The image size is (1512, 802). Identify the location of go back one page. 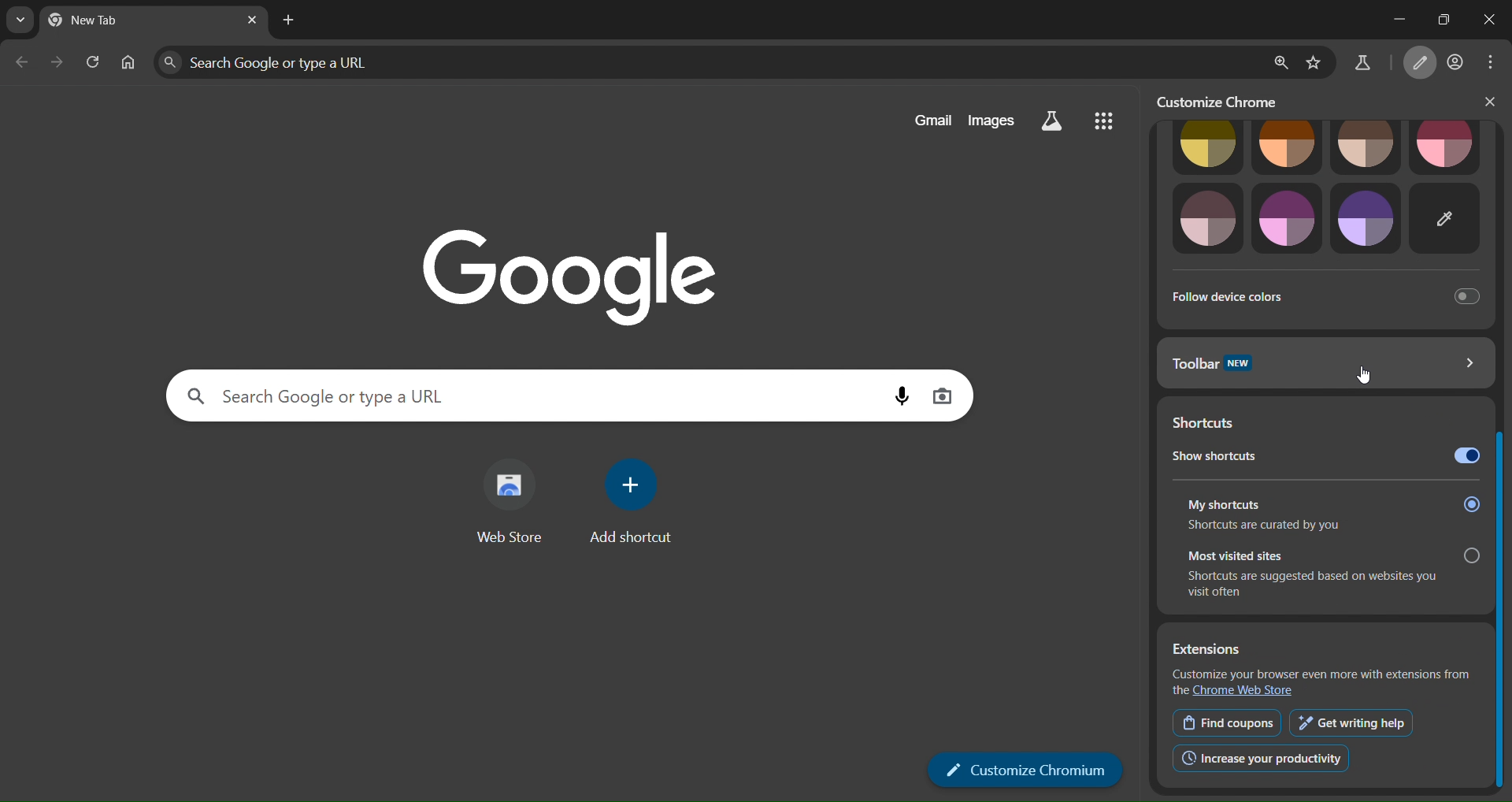
(20, 64).